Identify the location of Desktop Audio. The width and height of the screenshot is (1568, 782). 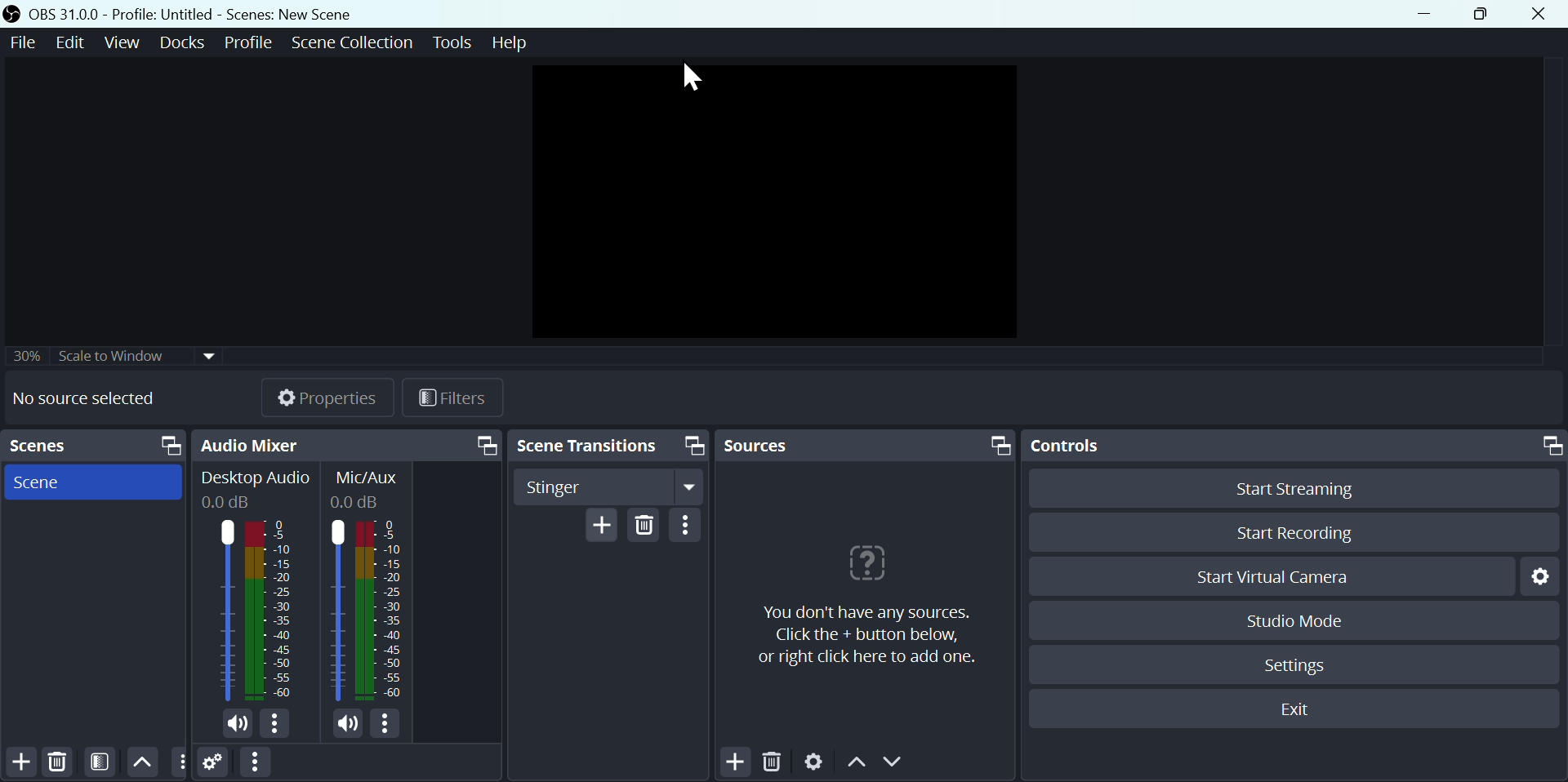
(254, 488).